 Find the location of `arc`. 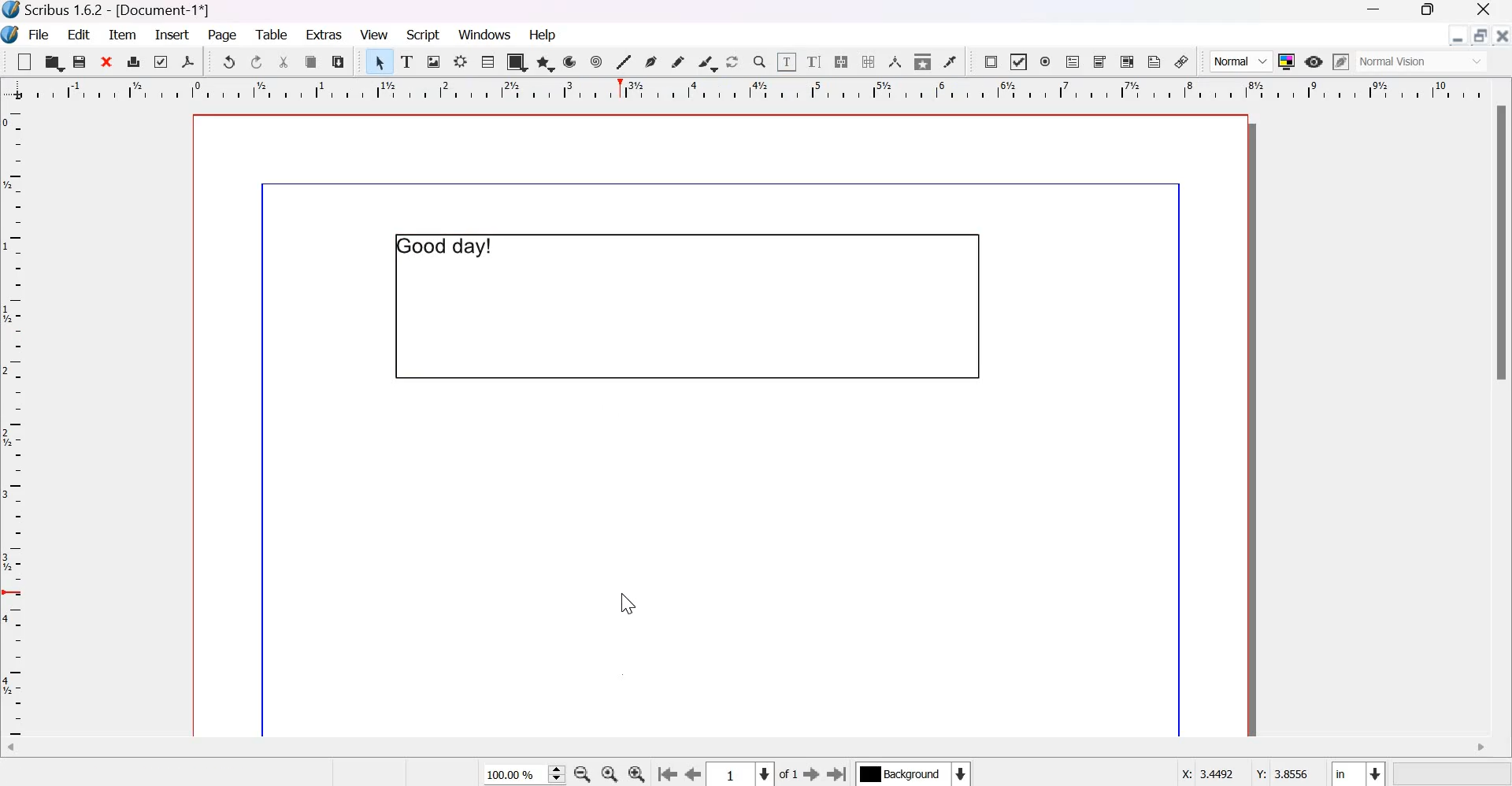

arc is located at coordinates (570, 61).